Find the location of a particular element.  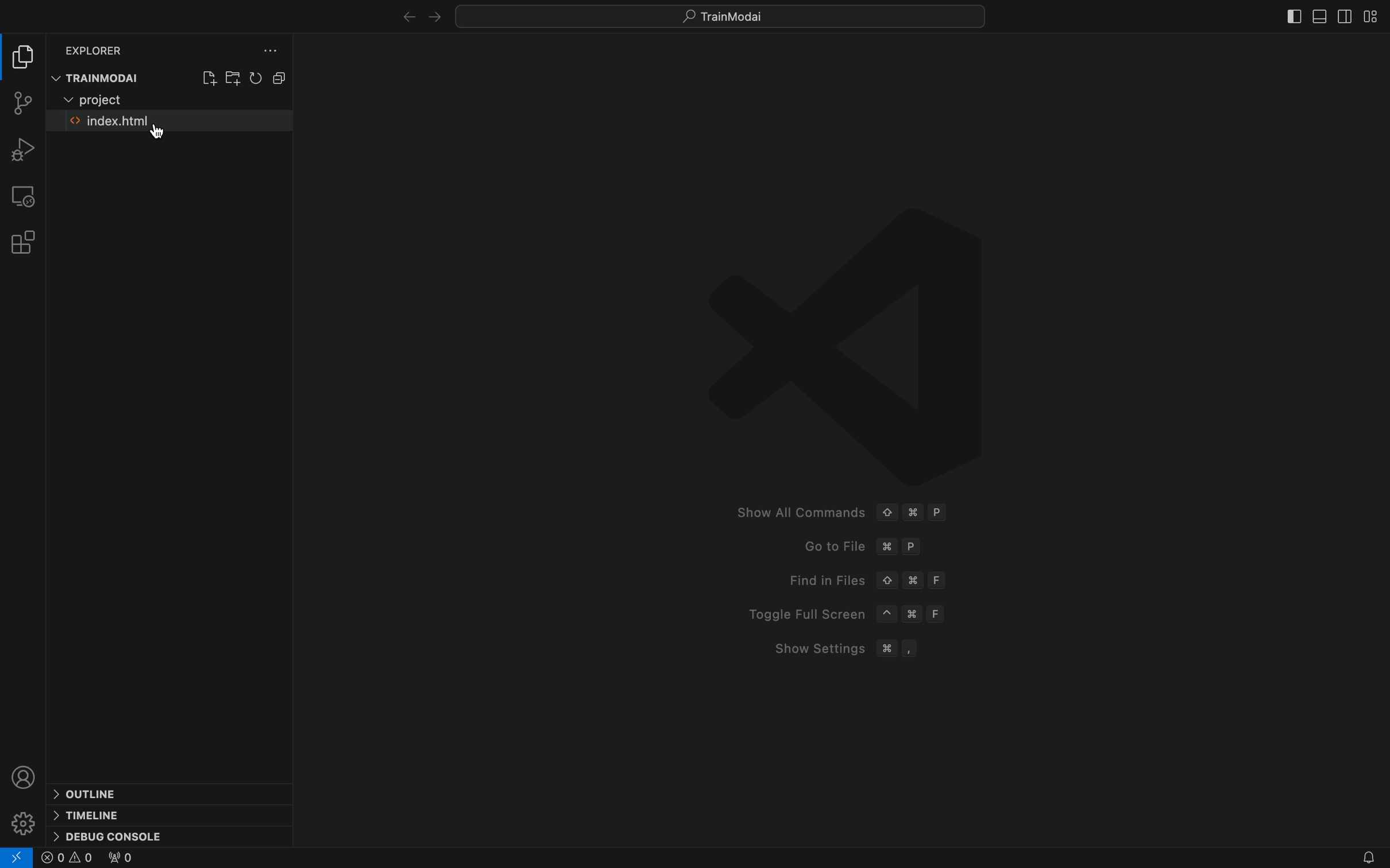

error logs is located at coordinates (17, 858).